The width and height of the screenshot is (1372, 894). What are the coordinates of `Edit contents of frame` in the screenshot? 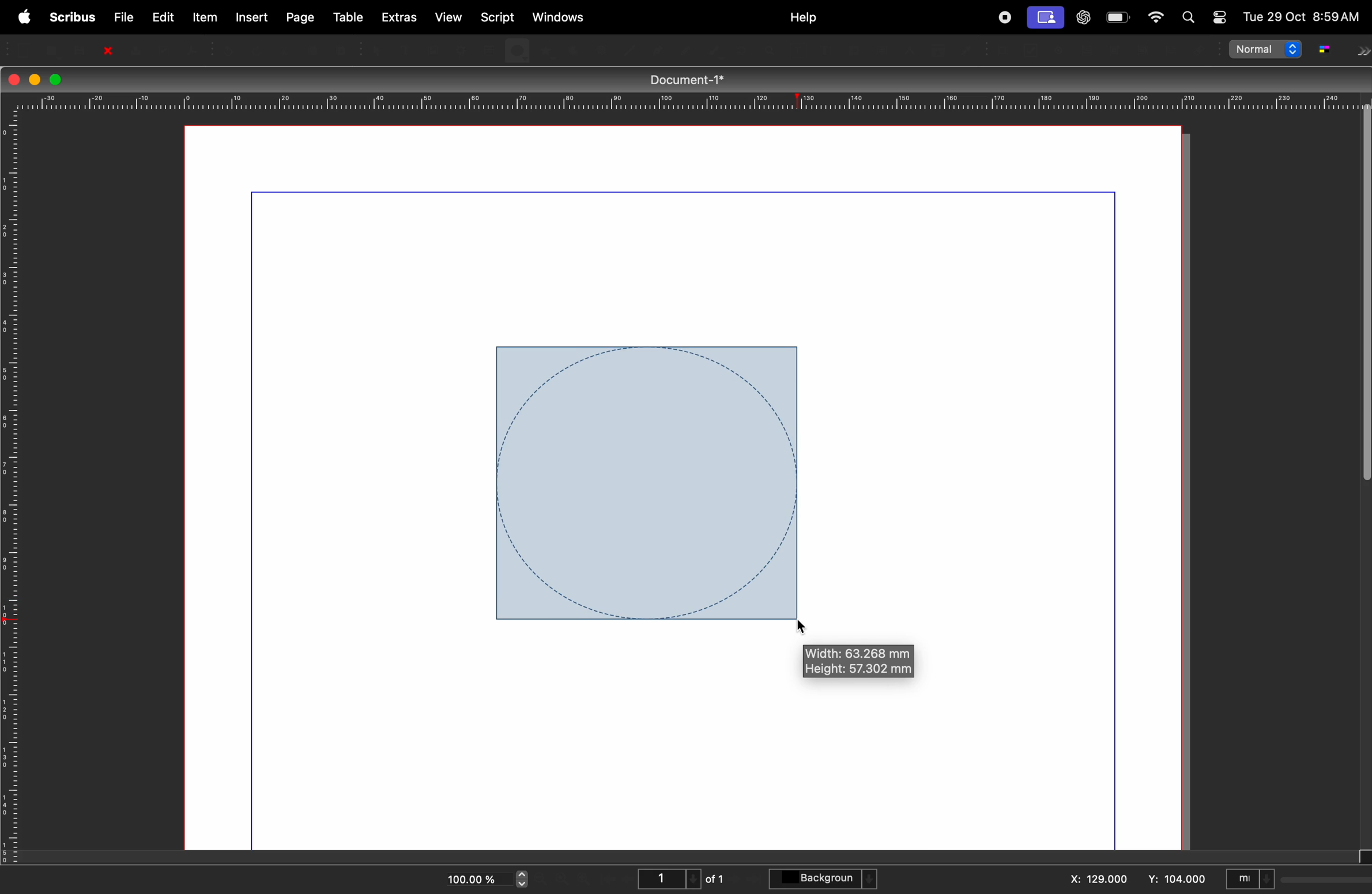 It's located at (797, 51).